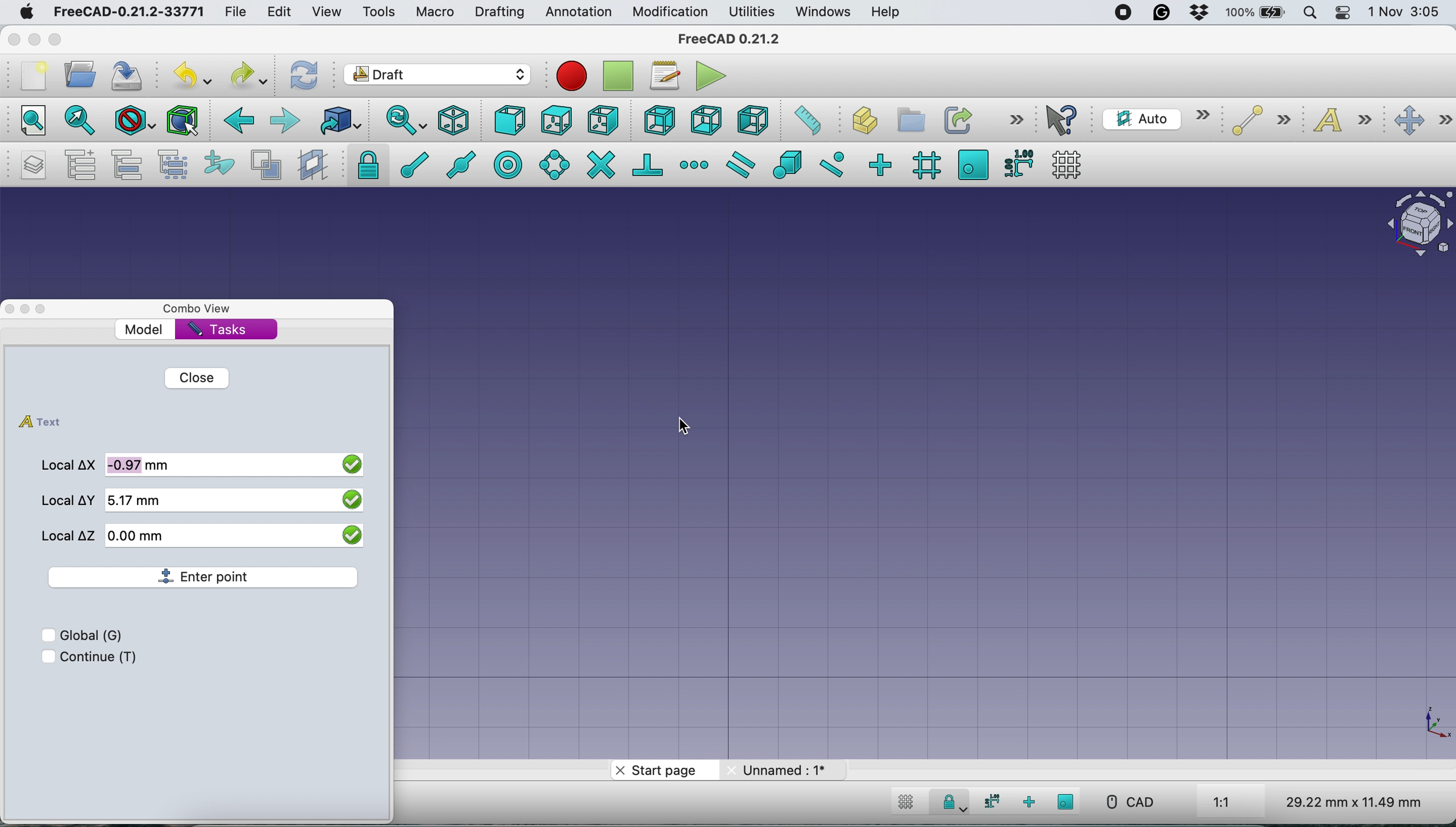 This screenshot has height=827, width=1456. Describe the element at coordinates (232, 535) in the screenshot. I see `local z` at that location.